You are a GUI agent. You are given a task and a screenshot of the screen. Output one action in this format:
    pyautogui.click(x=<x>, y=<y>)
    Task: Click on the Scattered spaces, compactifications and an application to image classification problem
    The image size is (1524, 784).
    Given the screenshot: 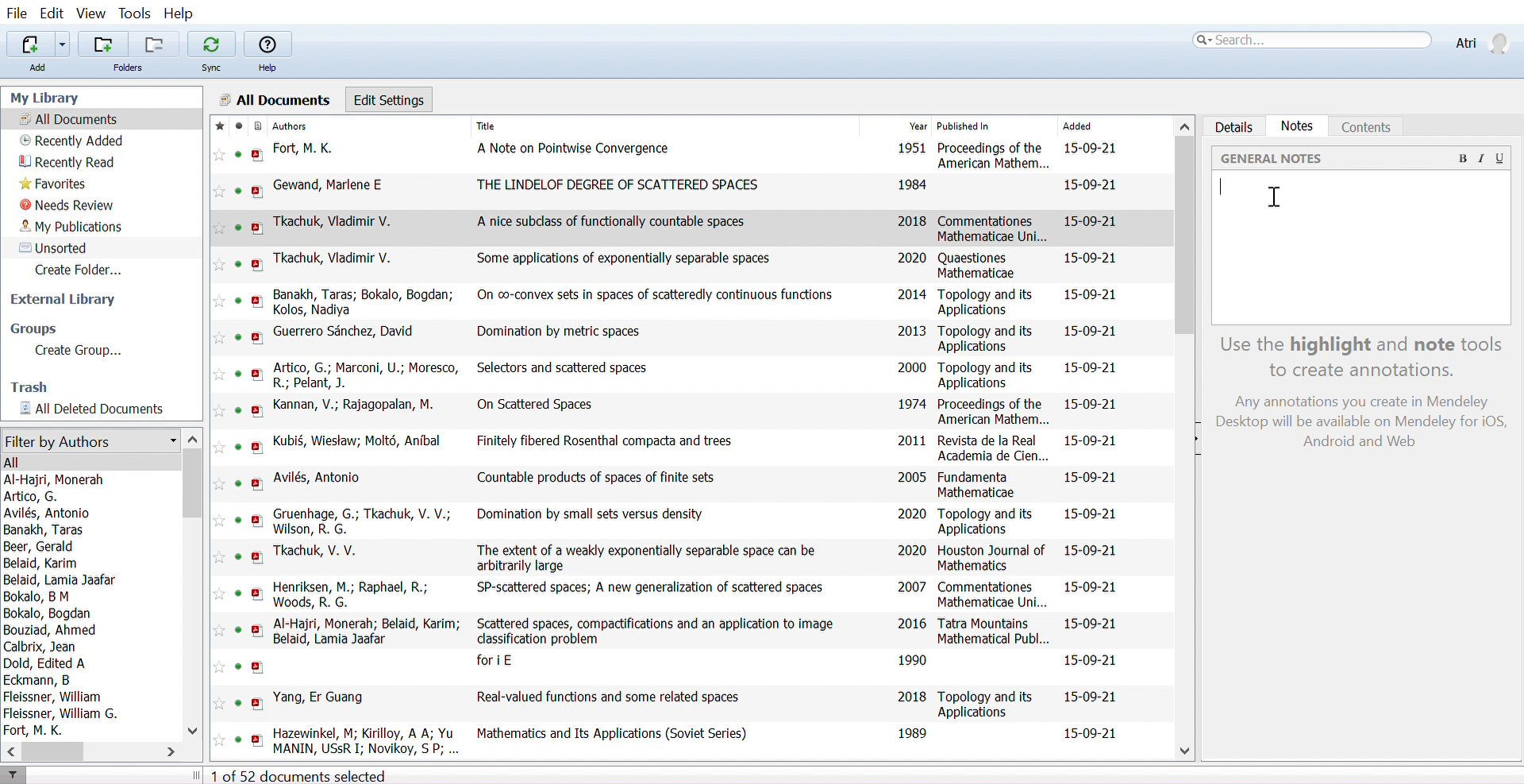 What is the action you would take?
    pyautogui.click(x=658, y=632)
    